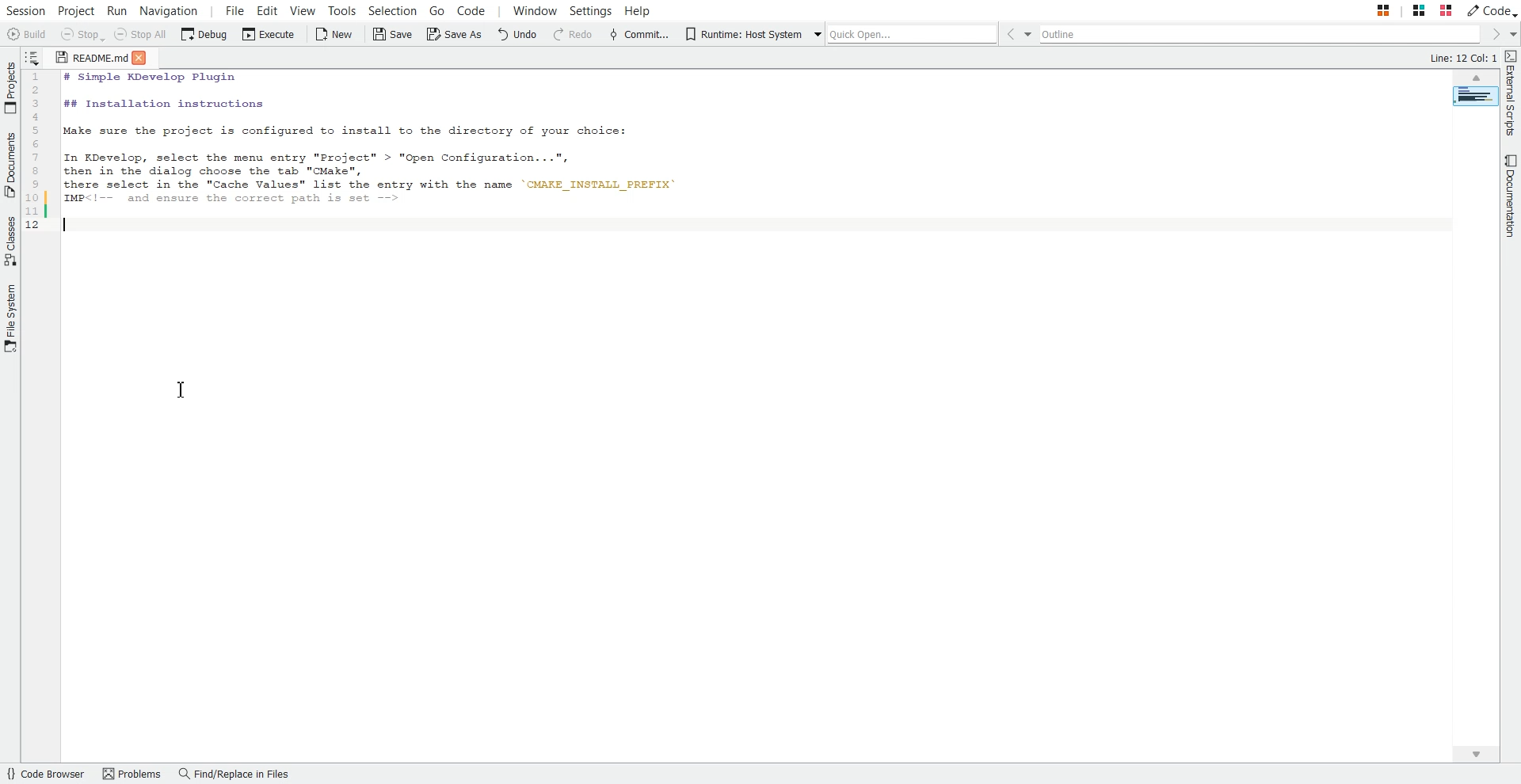  What do you see at coordinates (268, 10) in the screenshot?
I see `Edit` at bounding box center [268, 10].